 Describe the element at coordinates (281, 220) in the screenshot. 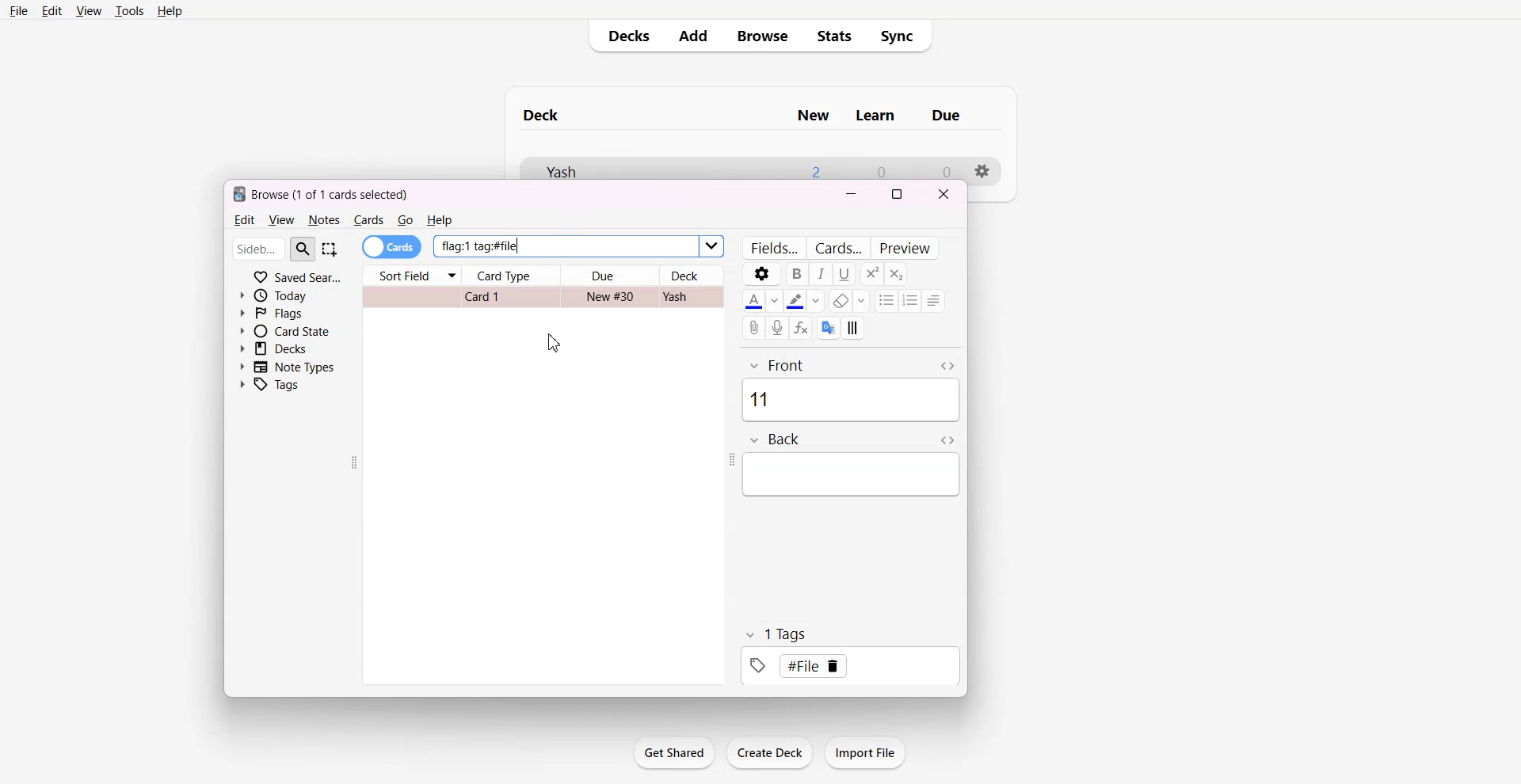

I see `View` at that location.